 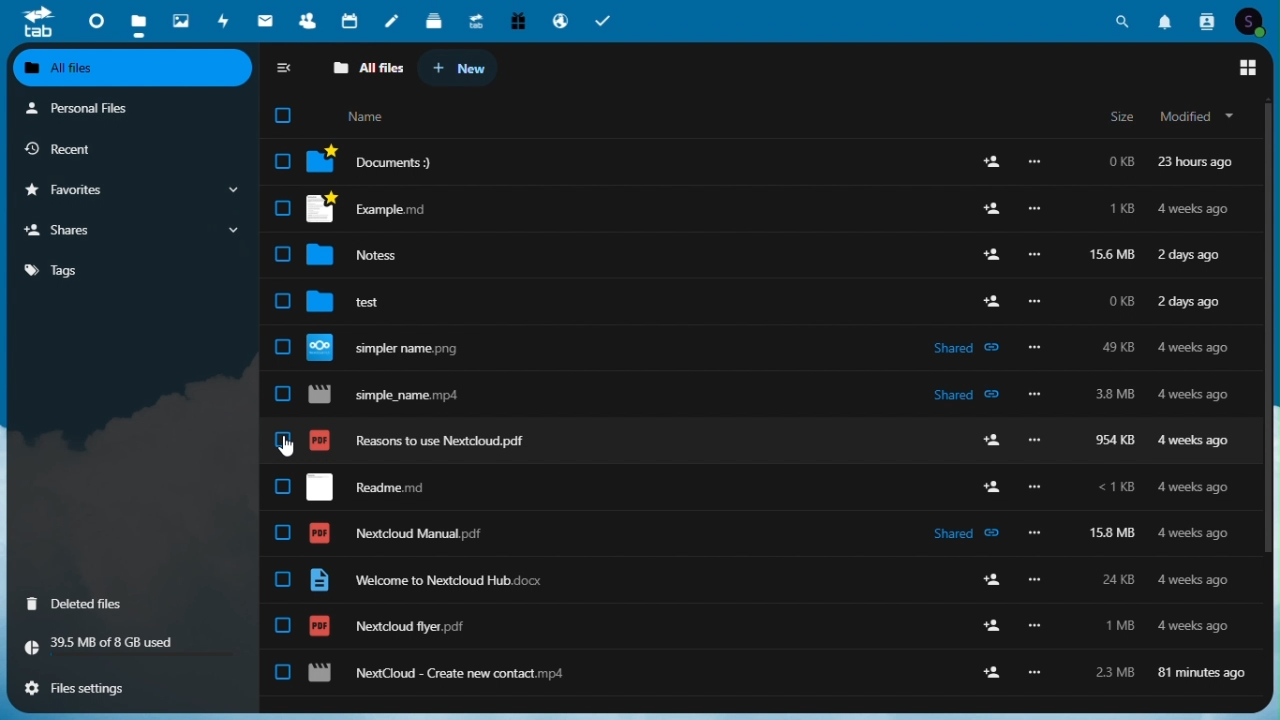 What do you see at coordinates (1121, 164) in the screenshot?
I see `0kb` at bounding box center [1121, 164].